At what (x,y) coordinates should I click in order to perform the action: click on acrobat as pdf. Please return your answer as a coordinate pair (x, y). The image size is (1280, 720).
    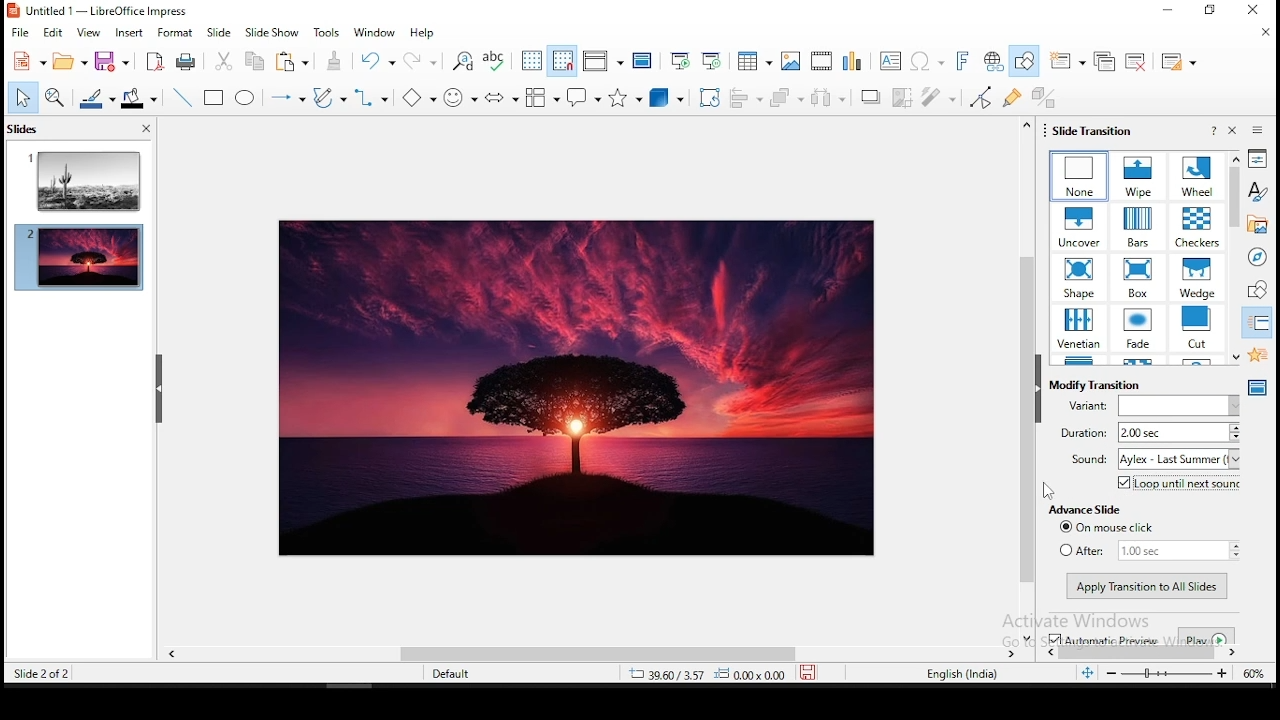
    Looking at the image, I should click on (153, 61).